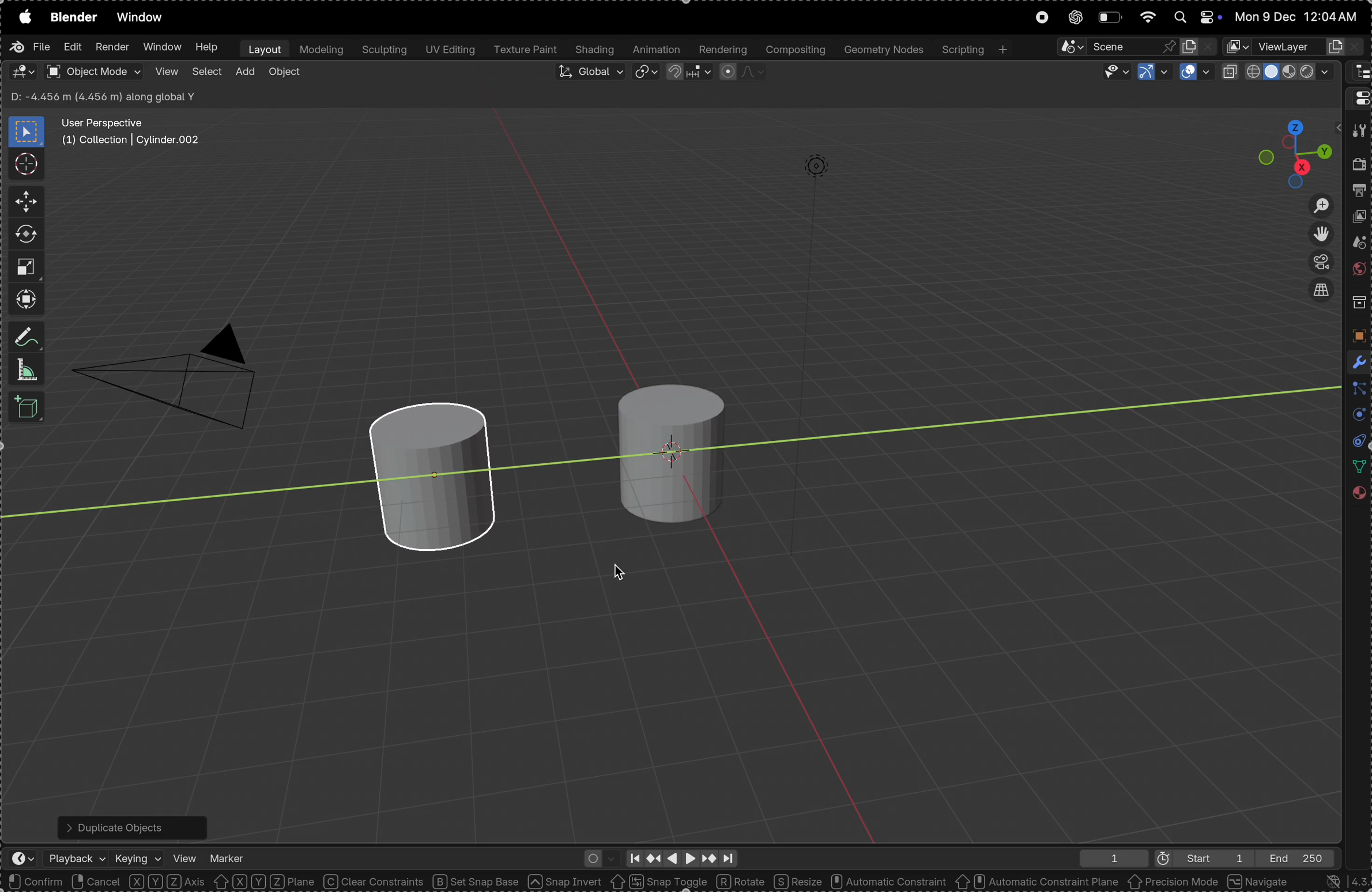 Image resolution: width=1372 pixels, height=892 pixels. What do you see at coordinates (882, 49) in the screenshot?
I see `Geometry notes` at bounding box center [882, 49].